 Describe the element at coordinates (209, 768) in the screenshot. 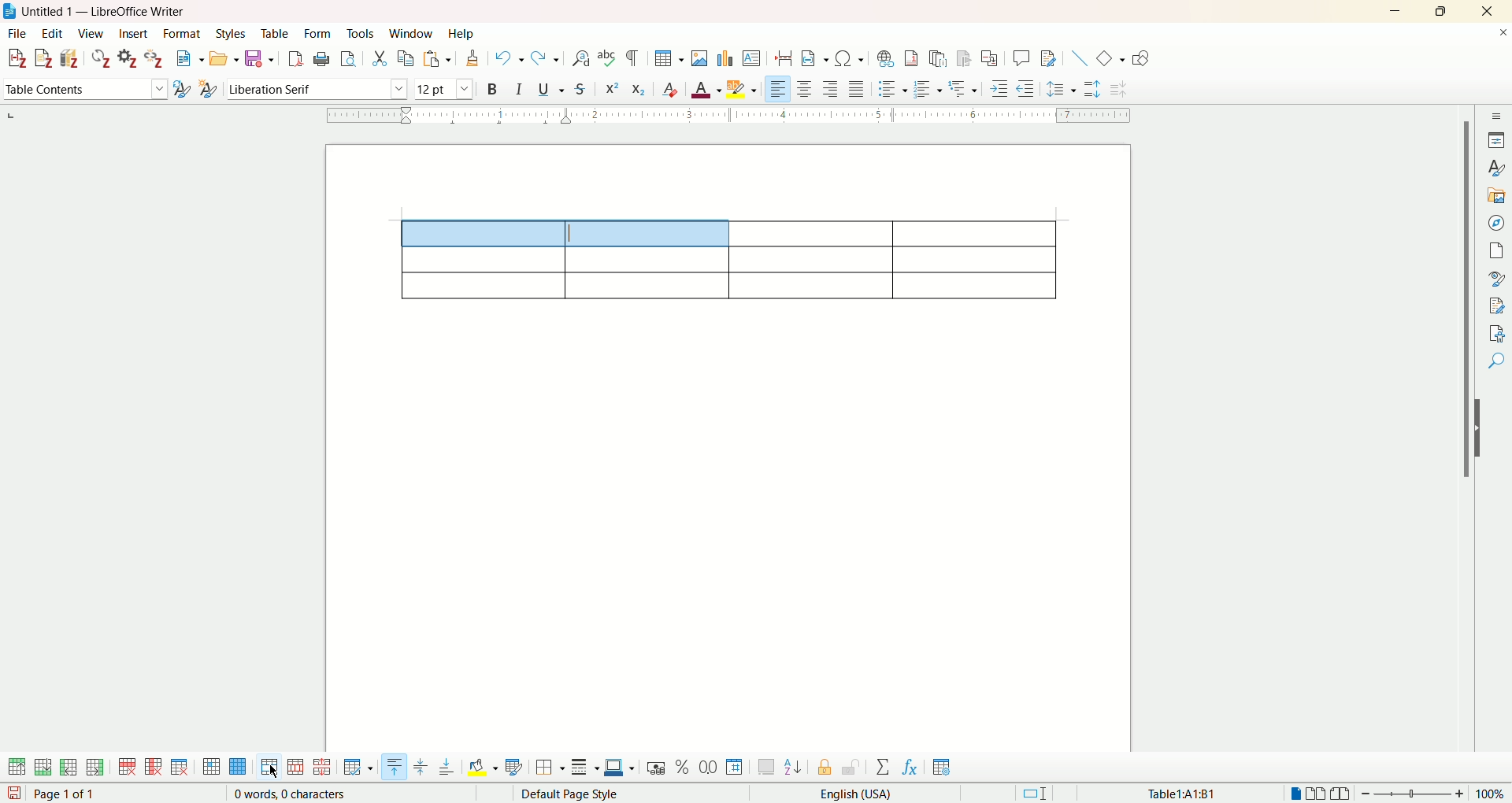

I see `select cell` at that location.